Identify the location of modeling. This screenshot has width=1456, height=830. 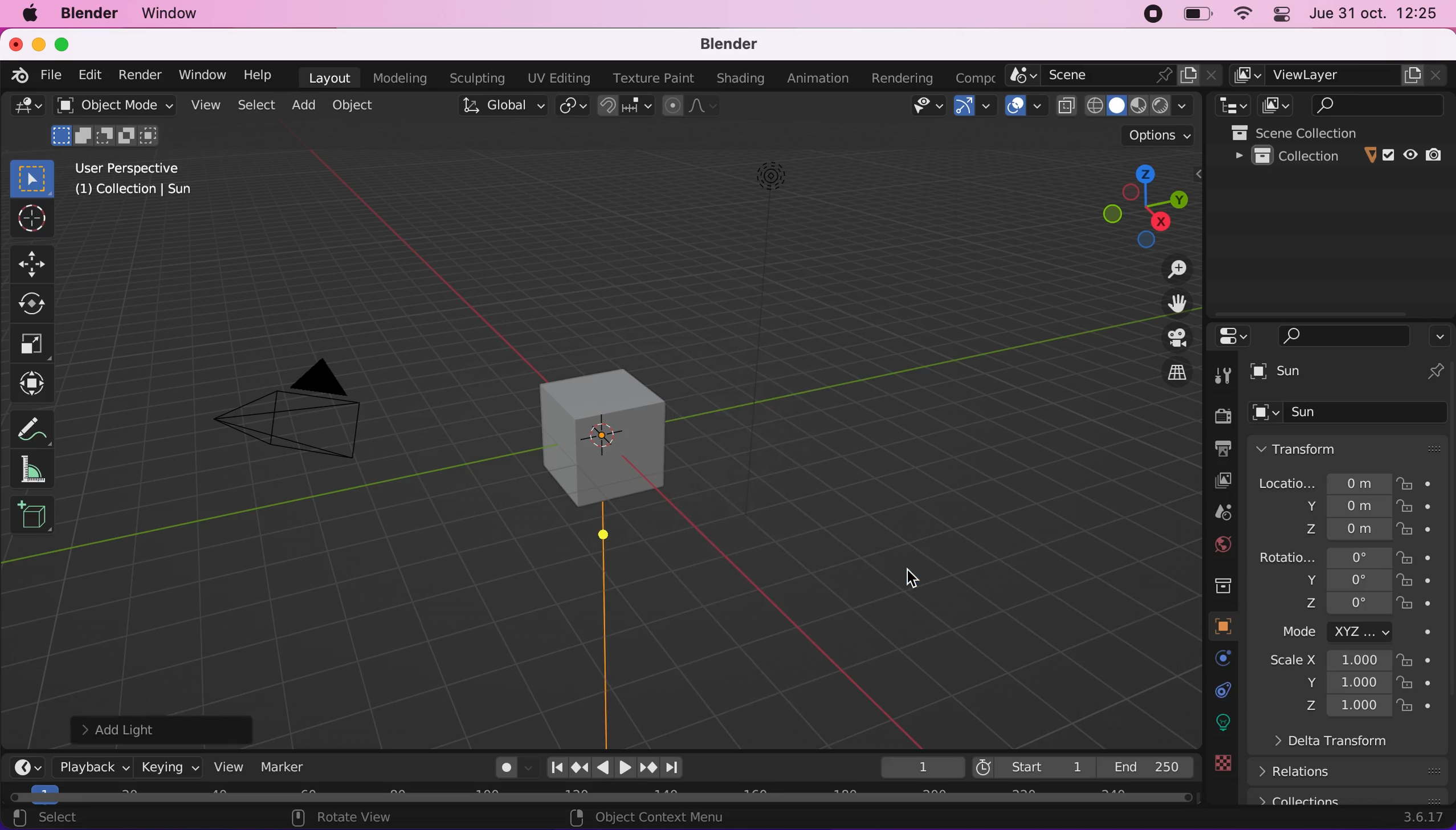
(397, 77).